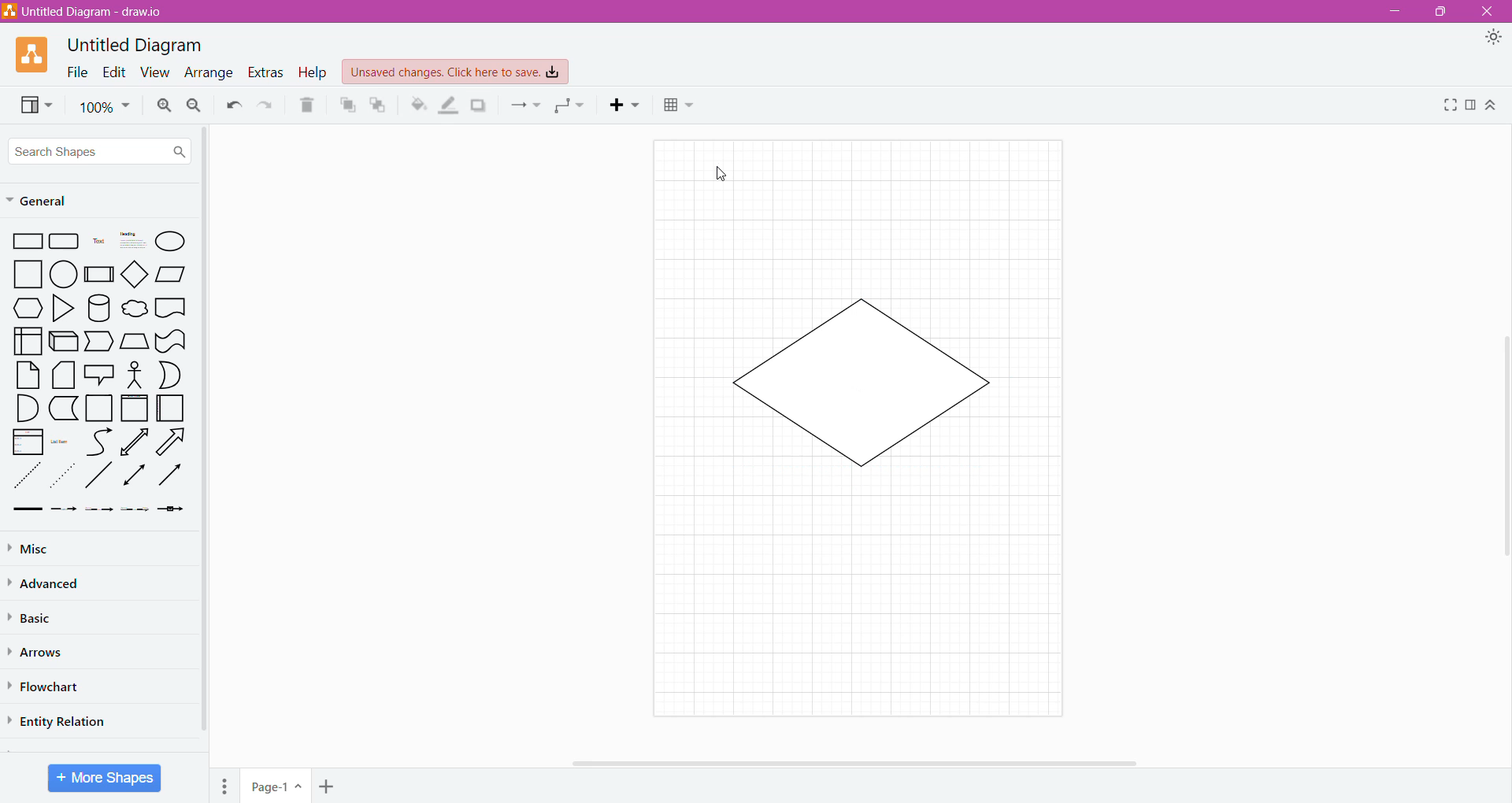  I want to click on Or, so click(171, 375).